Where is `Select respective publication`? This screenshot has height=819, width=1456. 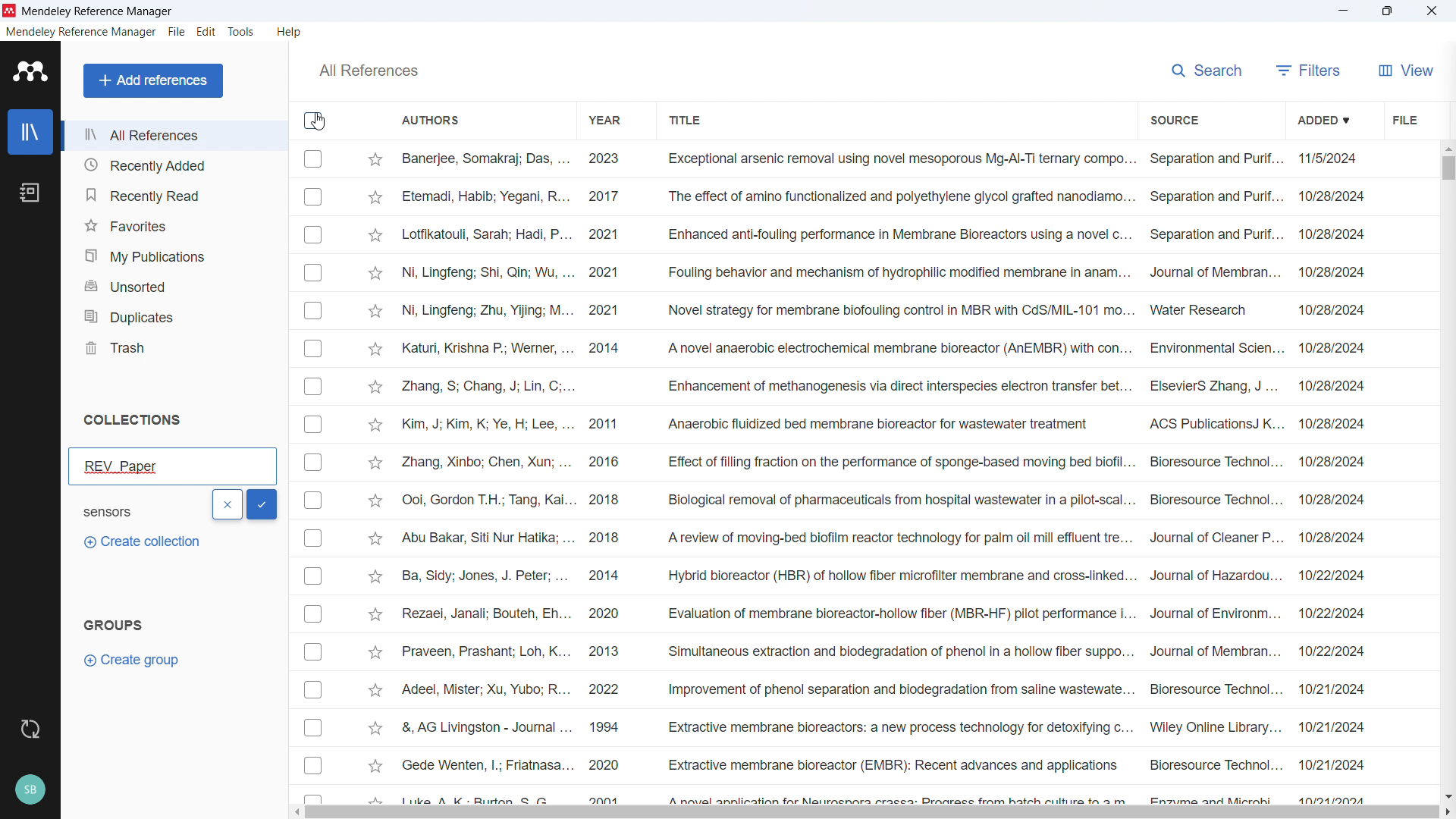
Select respective publication is located at coordinates (313, 614).